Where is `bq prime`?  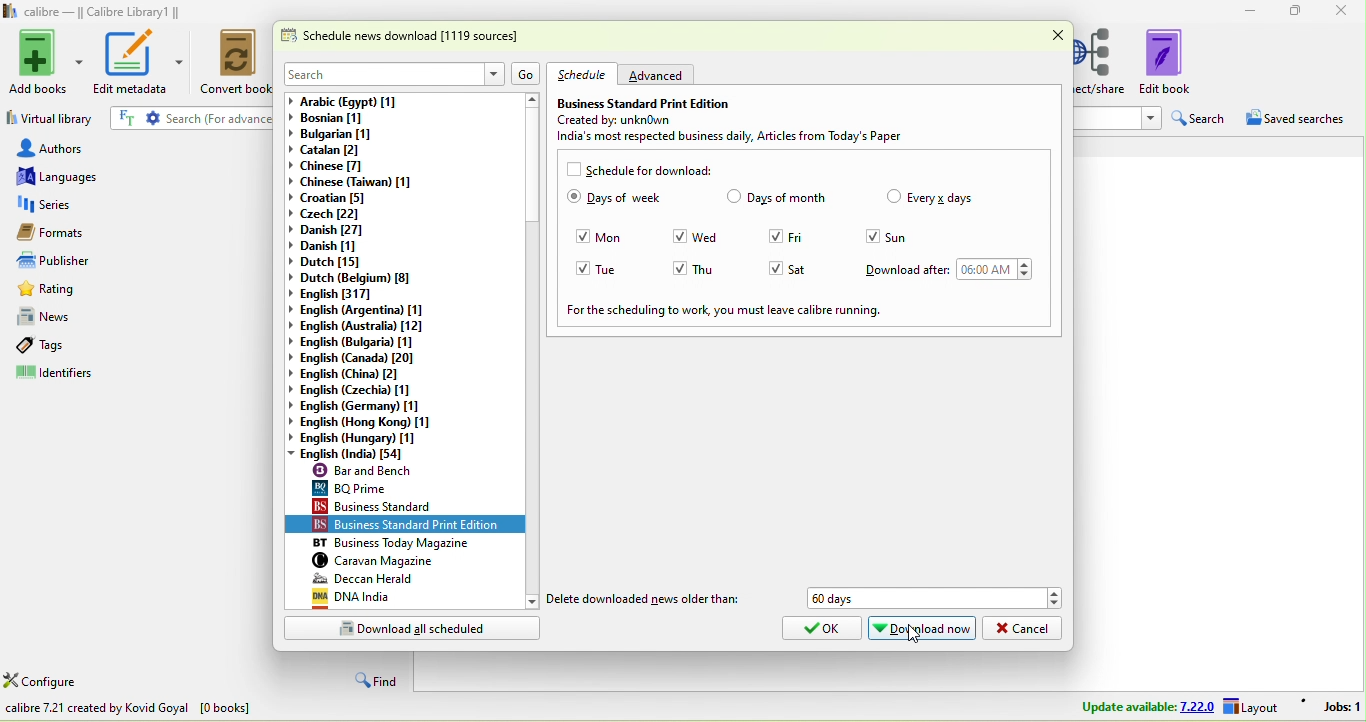 bq prime is located at coordinates (411, 487).